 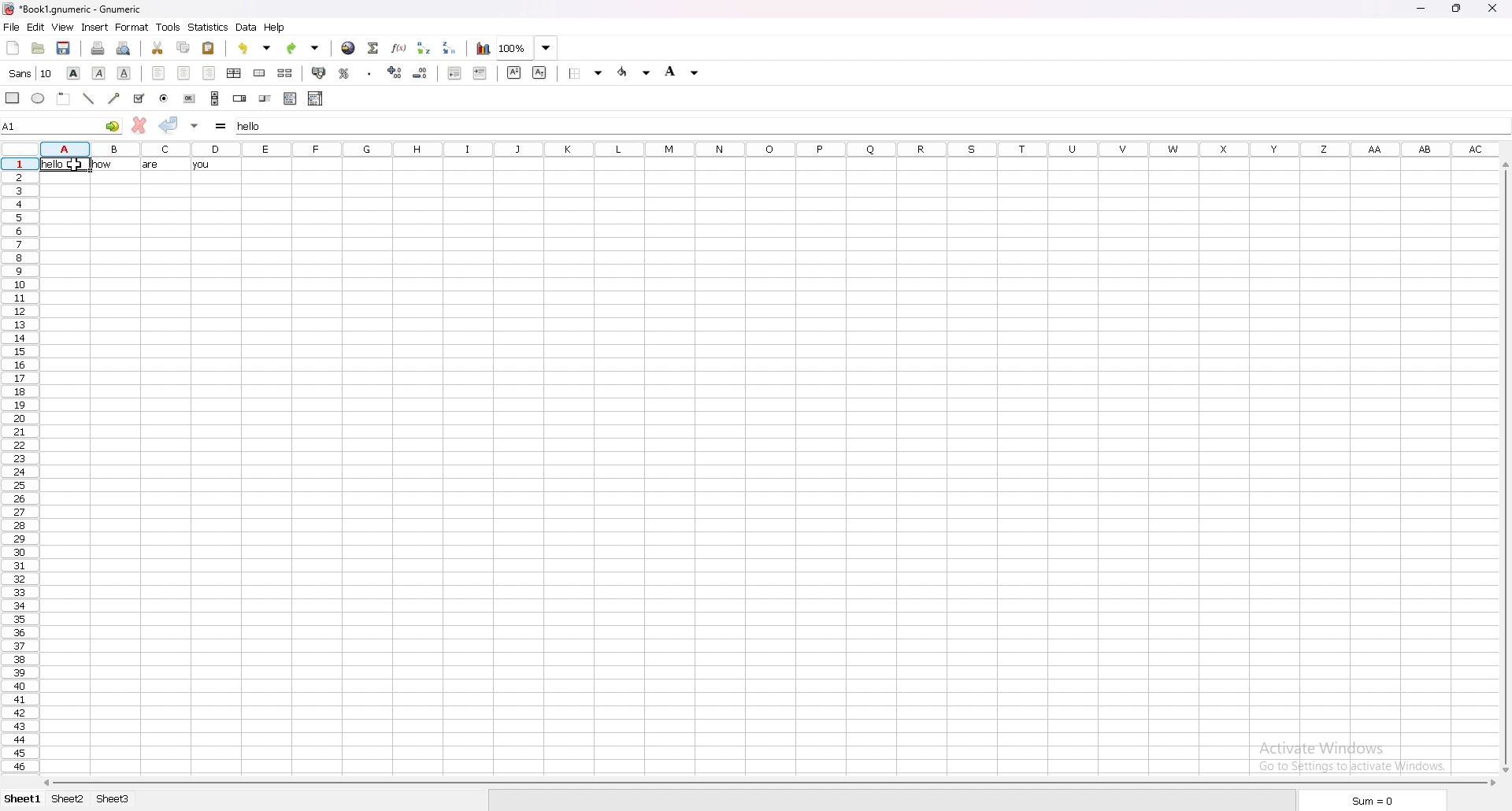 I want to click on sheet 3, so click(x=114, y=799).